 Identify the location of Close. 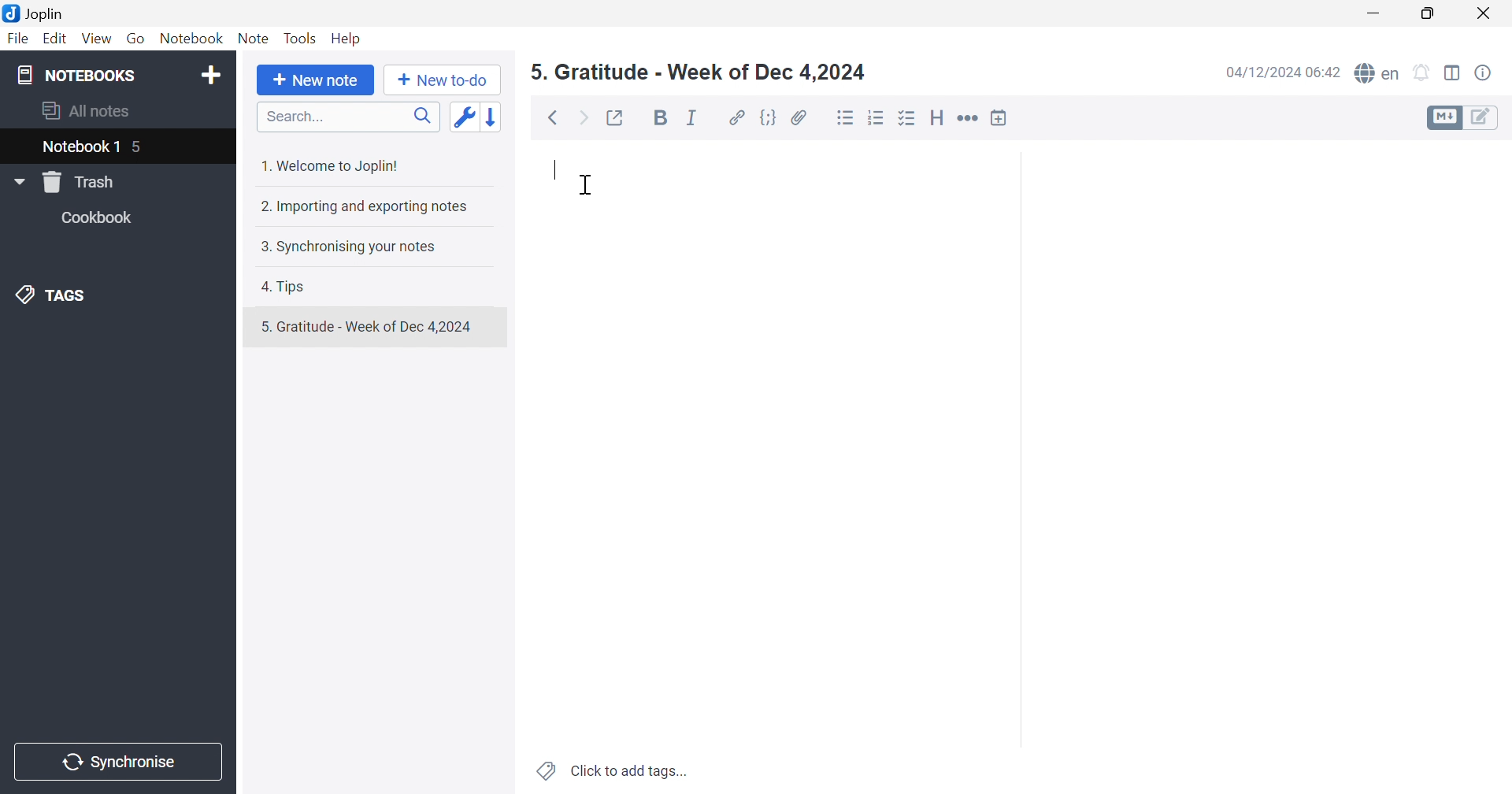
(1488, 12).